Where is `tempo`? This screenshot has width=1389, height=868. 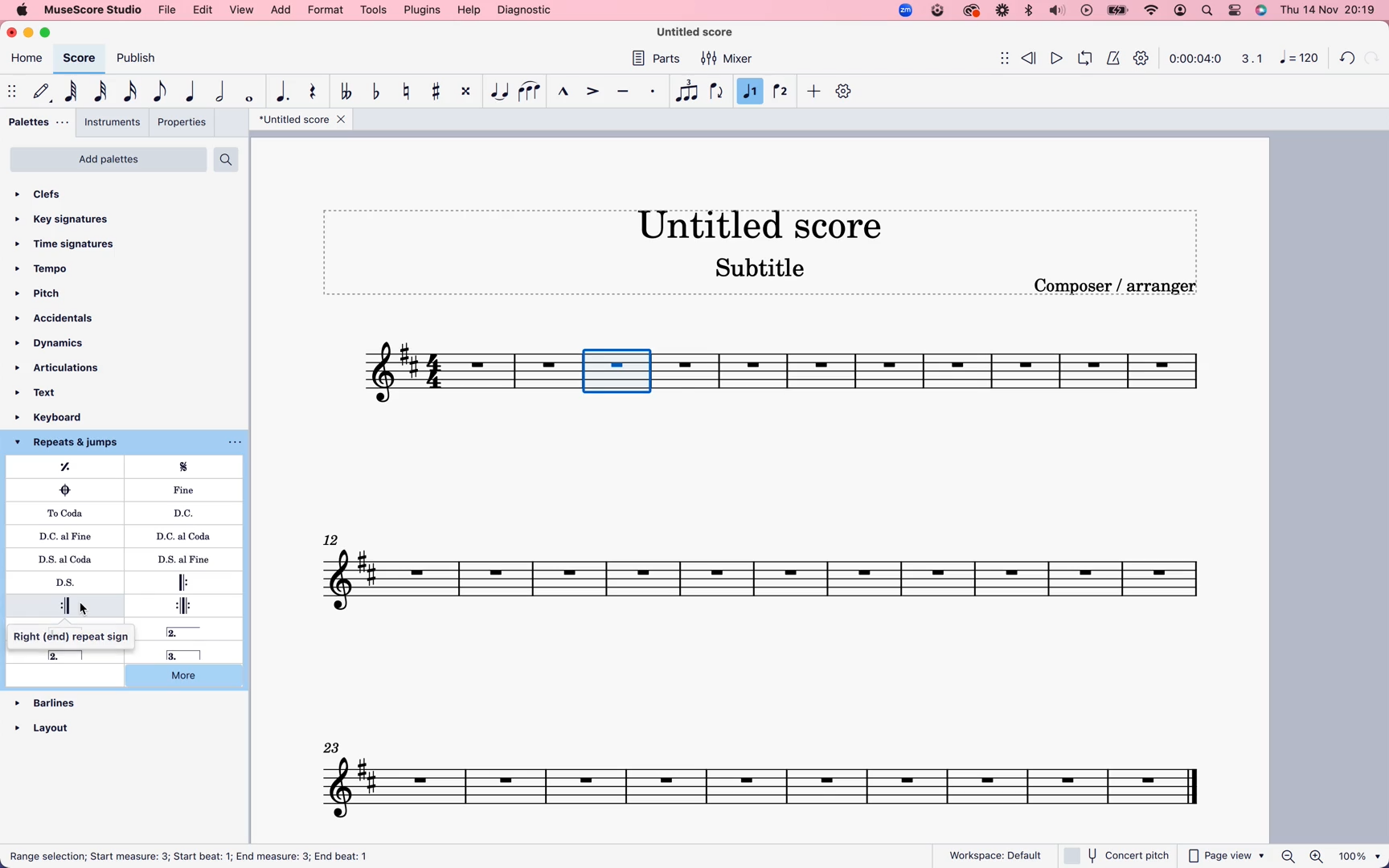 tempo is located at coordinates (51, 269).